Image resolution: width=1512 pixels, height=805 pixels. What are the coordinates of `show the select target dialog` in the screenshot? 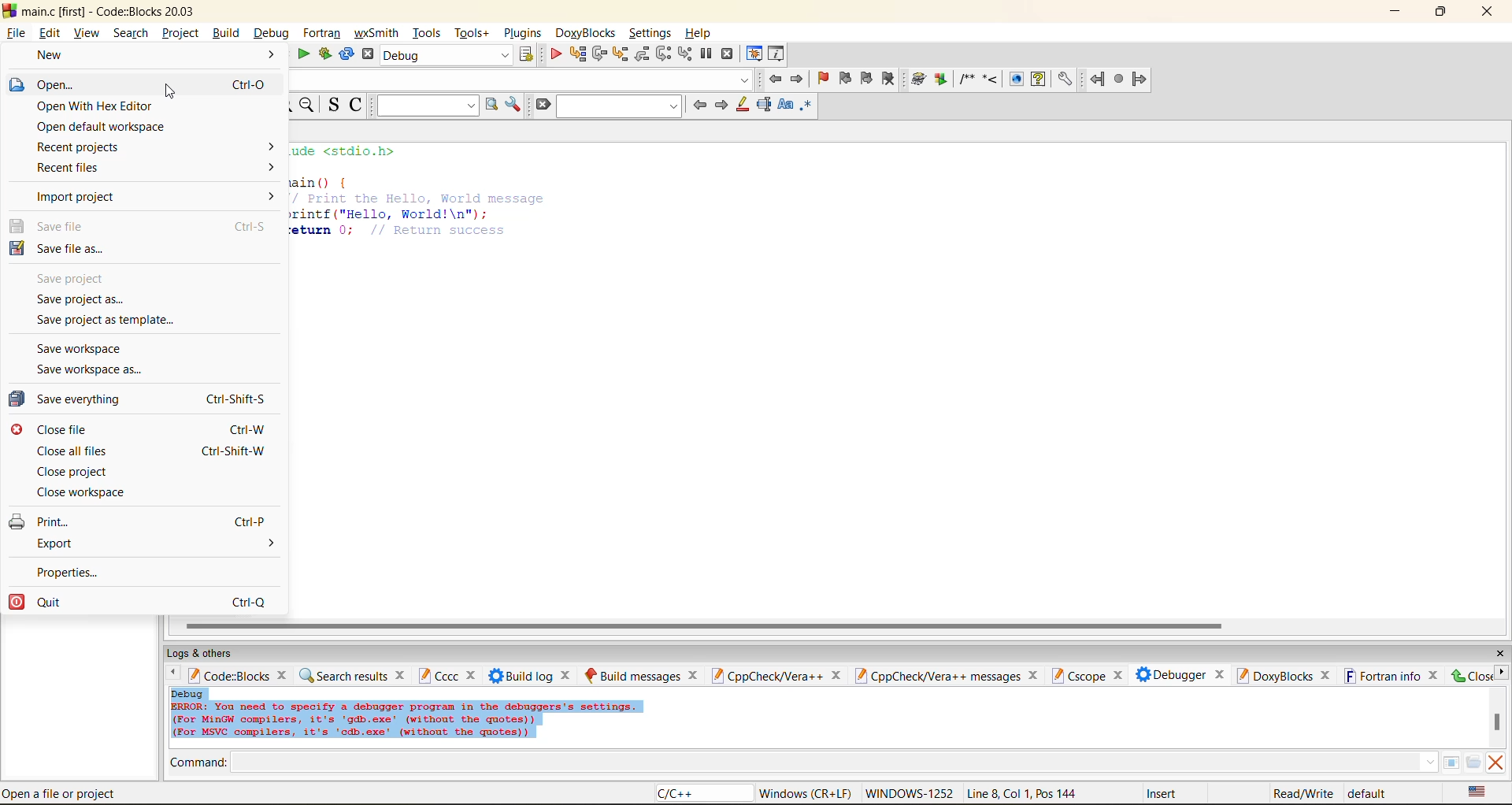 It's located at (528, 54).